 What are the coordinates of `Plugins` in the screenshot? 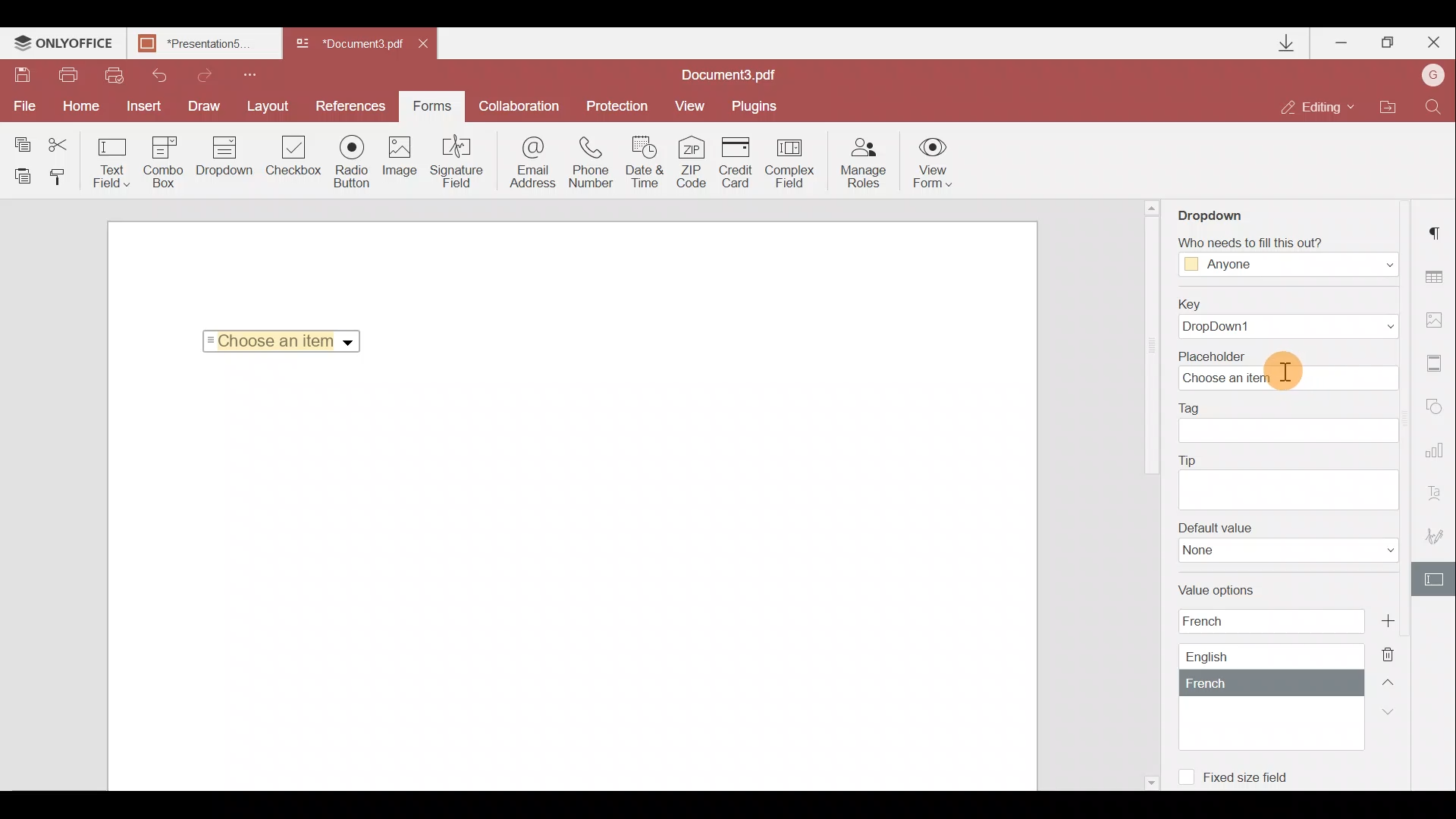 It's located at (757, 104).